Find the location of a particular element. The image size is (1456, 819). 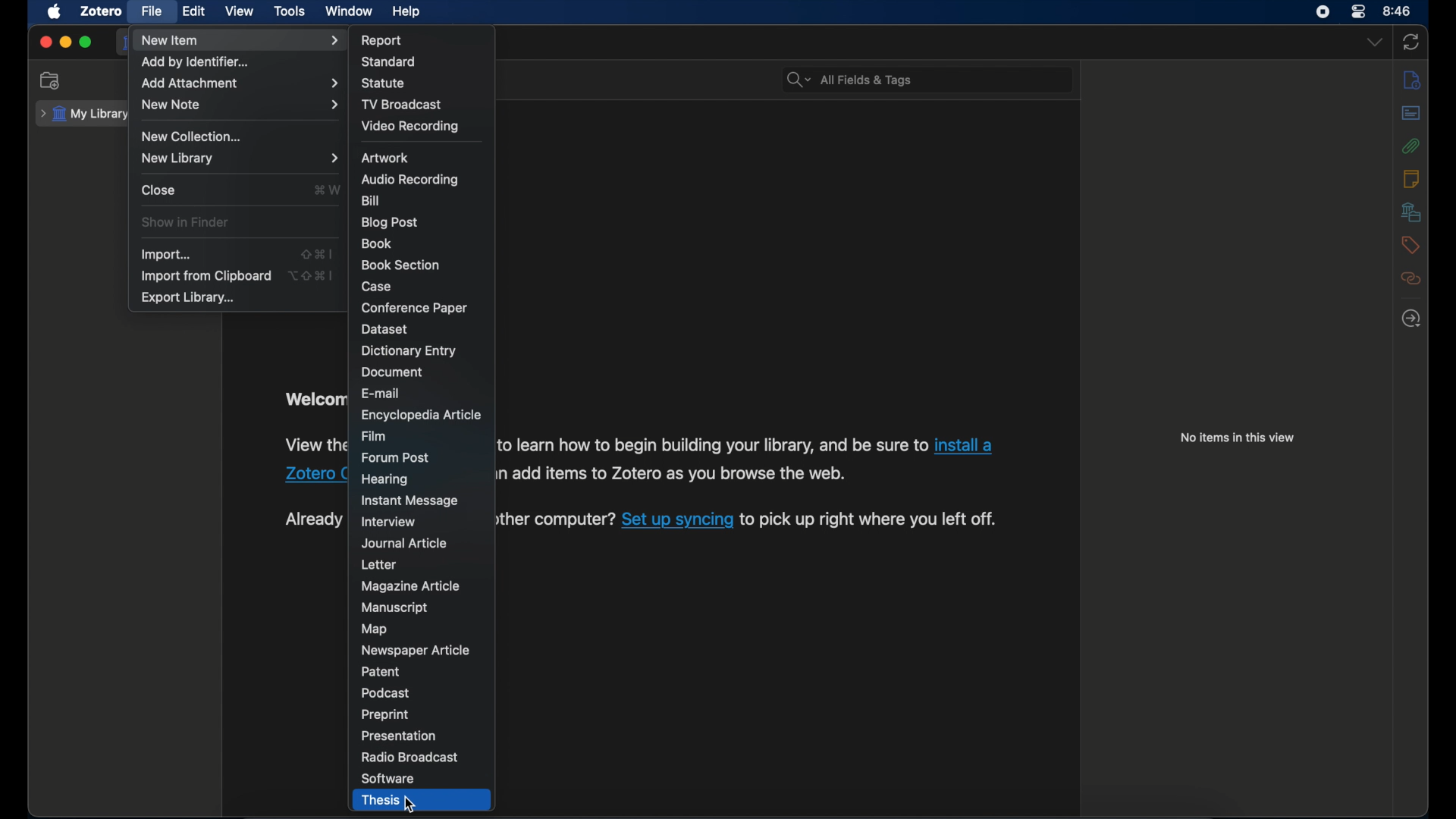

patent is located at coordinates (381, 672).